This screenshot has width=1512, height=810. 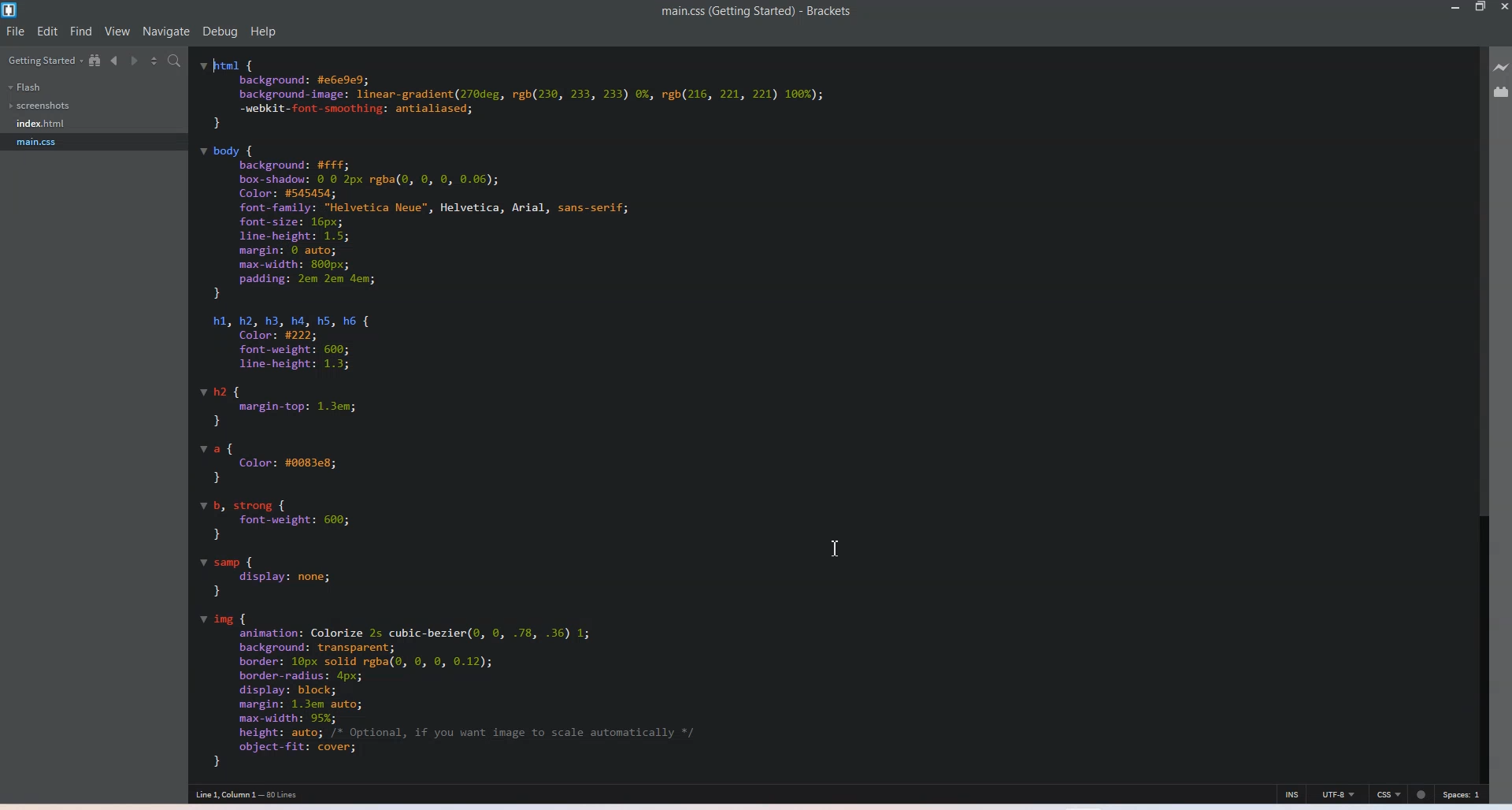 What do you see at coordinates (43, 60) in the screenshot?
I see `Getting Started` at bounding box center [43, 60].